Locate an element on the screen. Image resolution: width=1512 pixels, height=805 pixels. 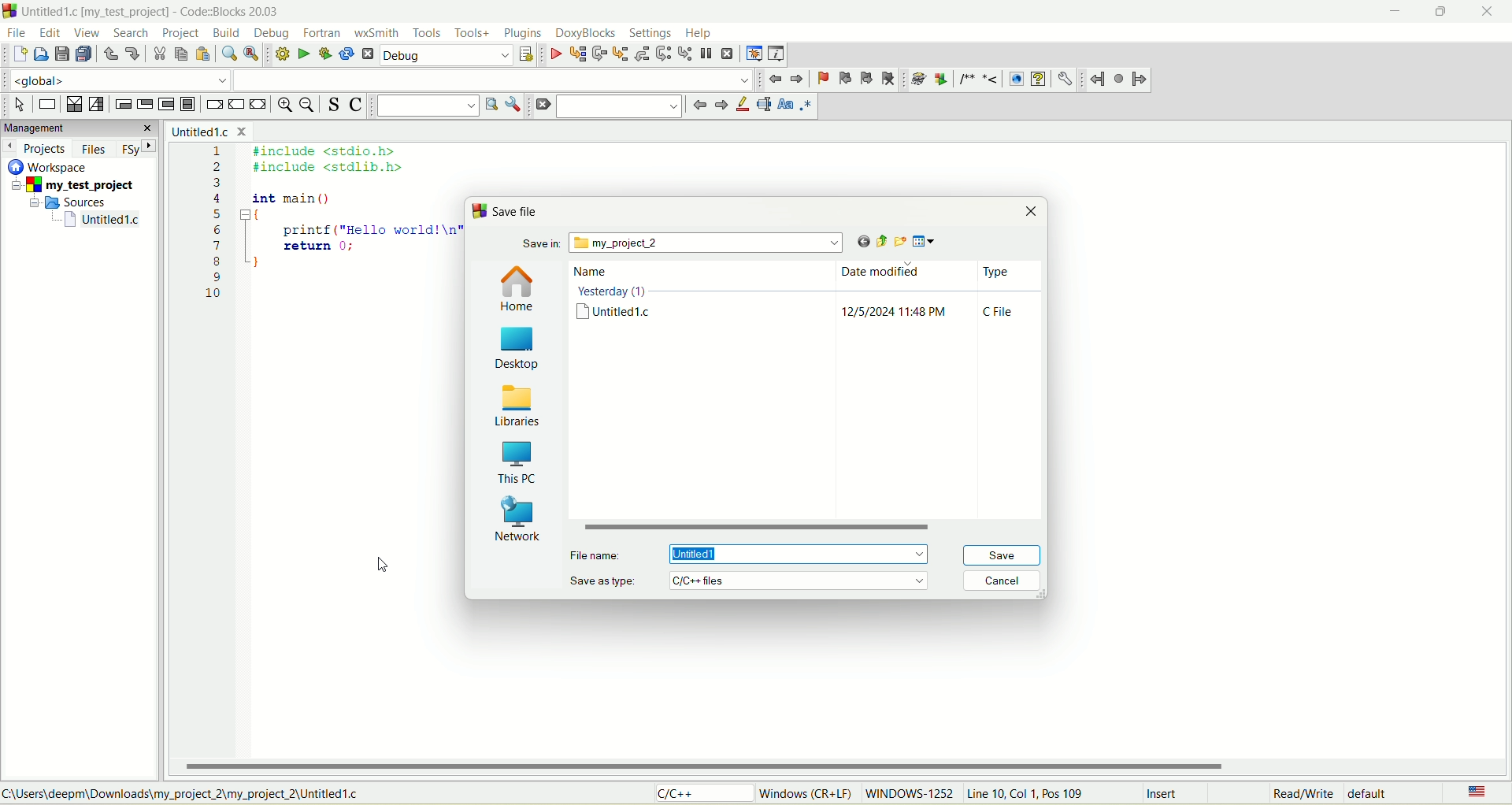
prev bookmark is located at coordinates (842, 77).